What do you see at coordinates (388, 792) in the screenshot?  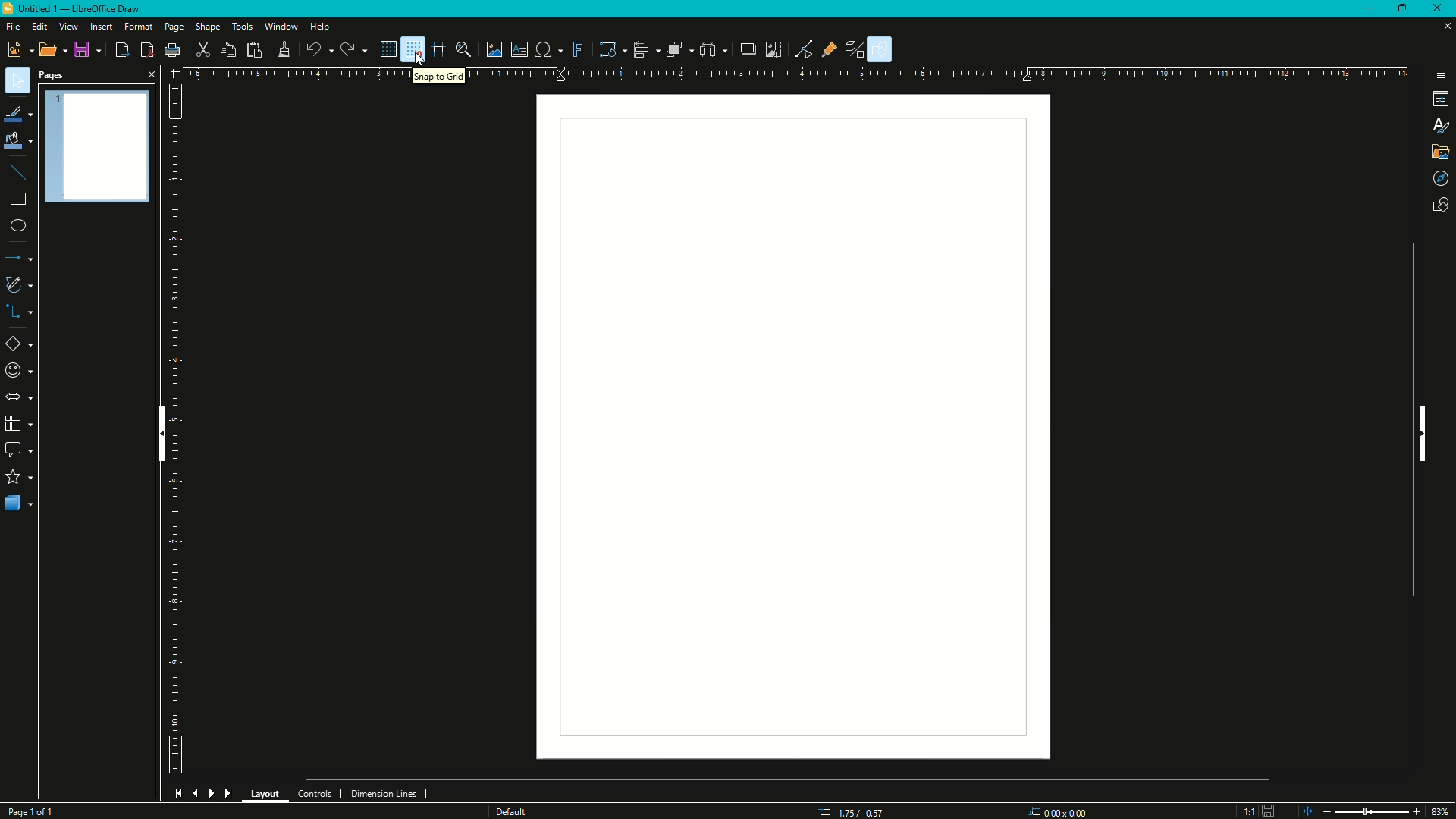 I see `Dimension Lines` at bounding box center [388, 792].